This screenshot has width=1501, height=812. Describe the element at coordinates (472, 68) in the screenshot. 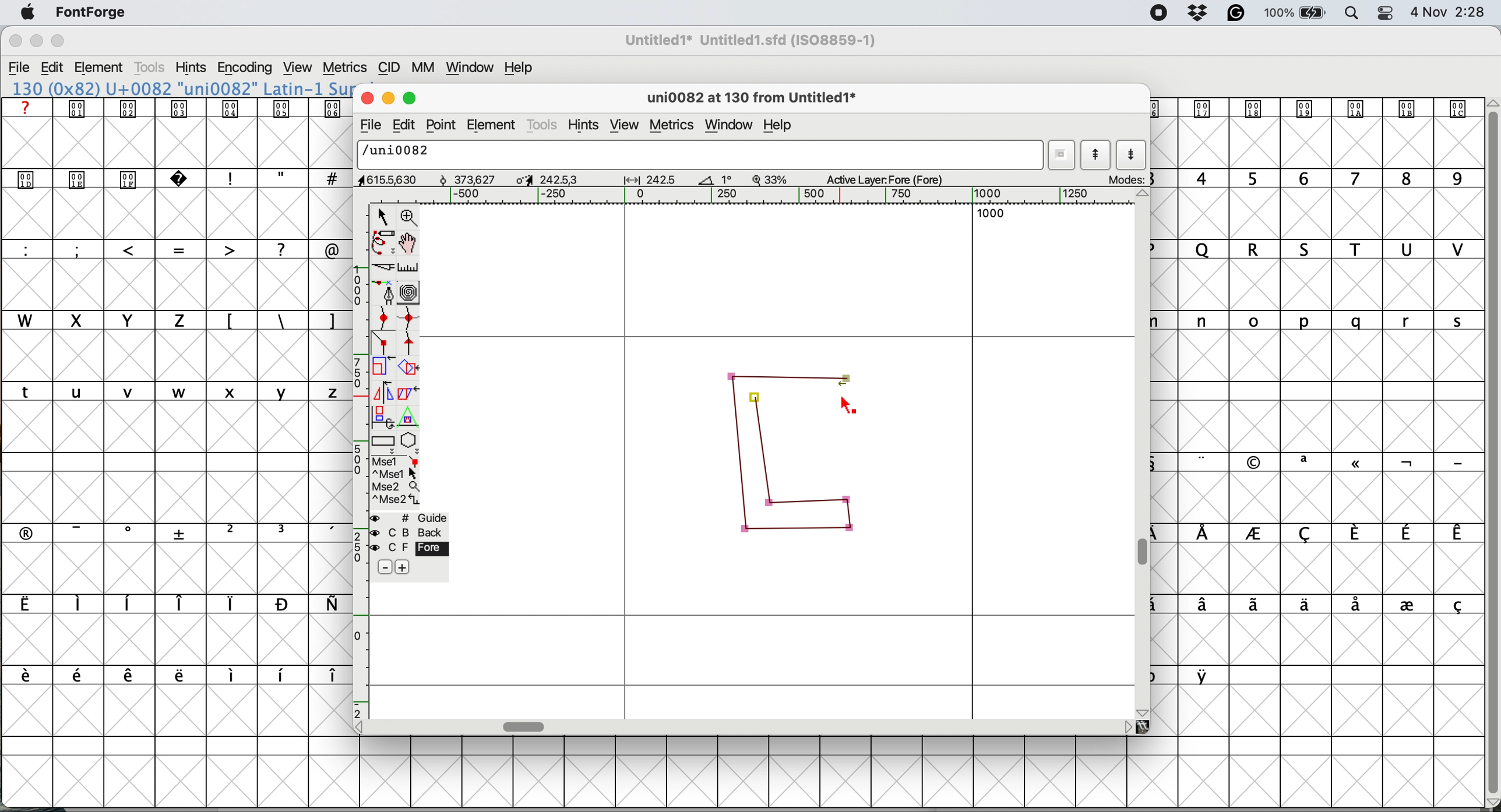

I see `window` at that location.